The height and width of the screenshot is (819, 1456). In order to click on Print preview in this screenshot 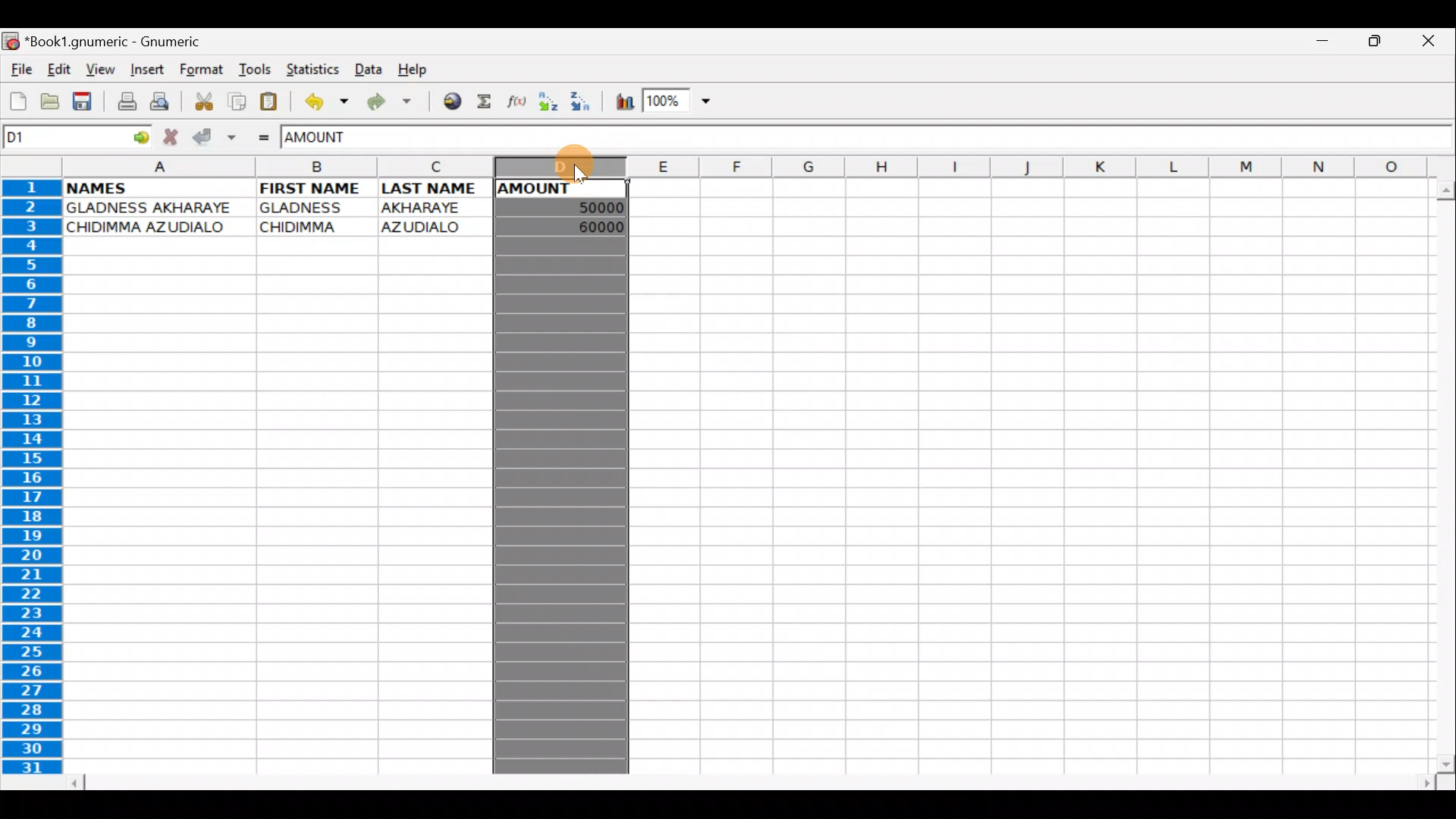, I will do `click(162, 101)`.